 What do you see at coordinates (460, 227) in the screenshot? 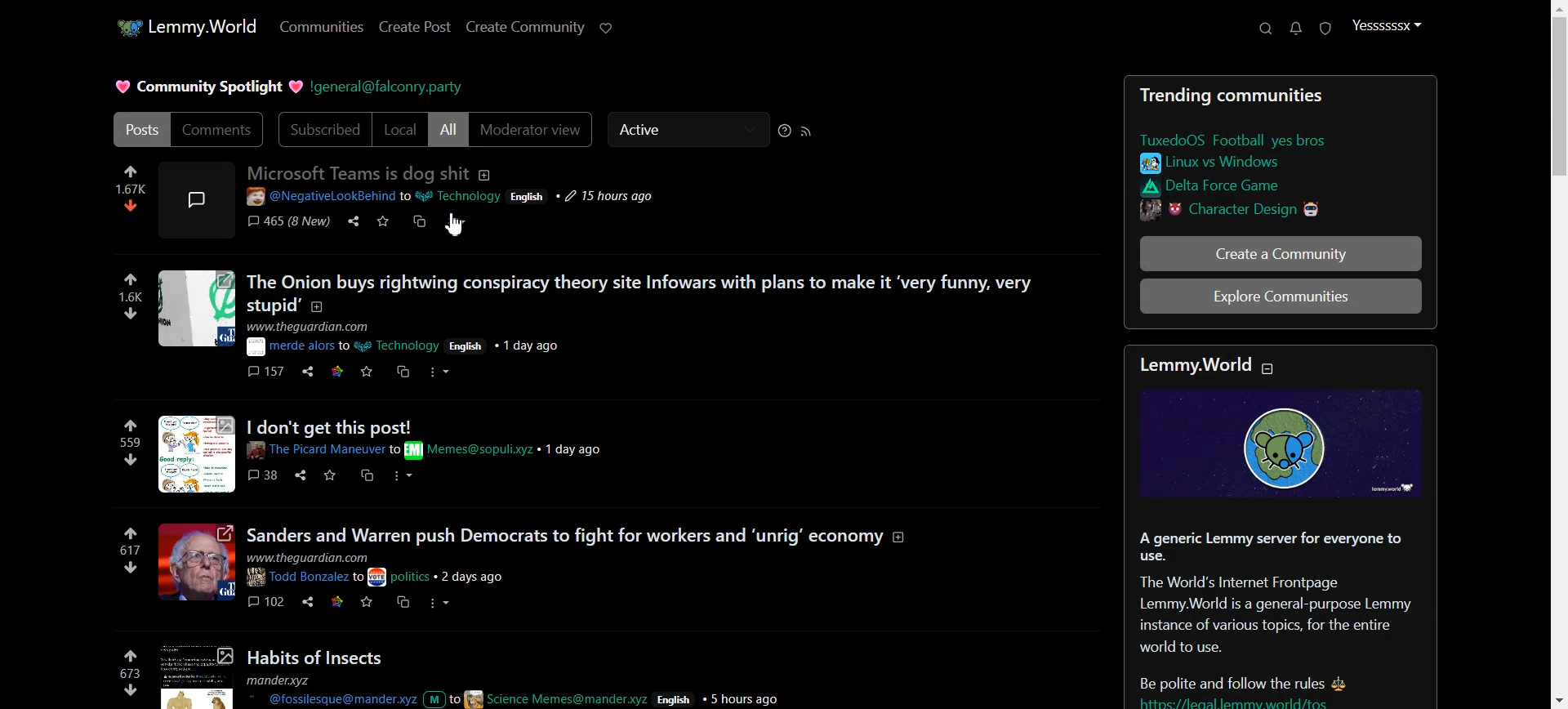
I see `cursor` at bounding box center [460, 227].